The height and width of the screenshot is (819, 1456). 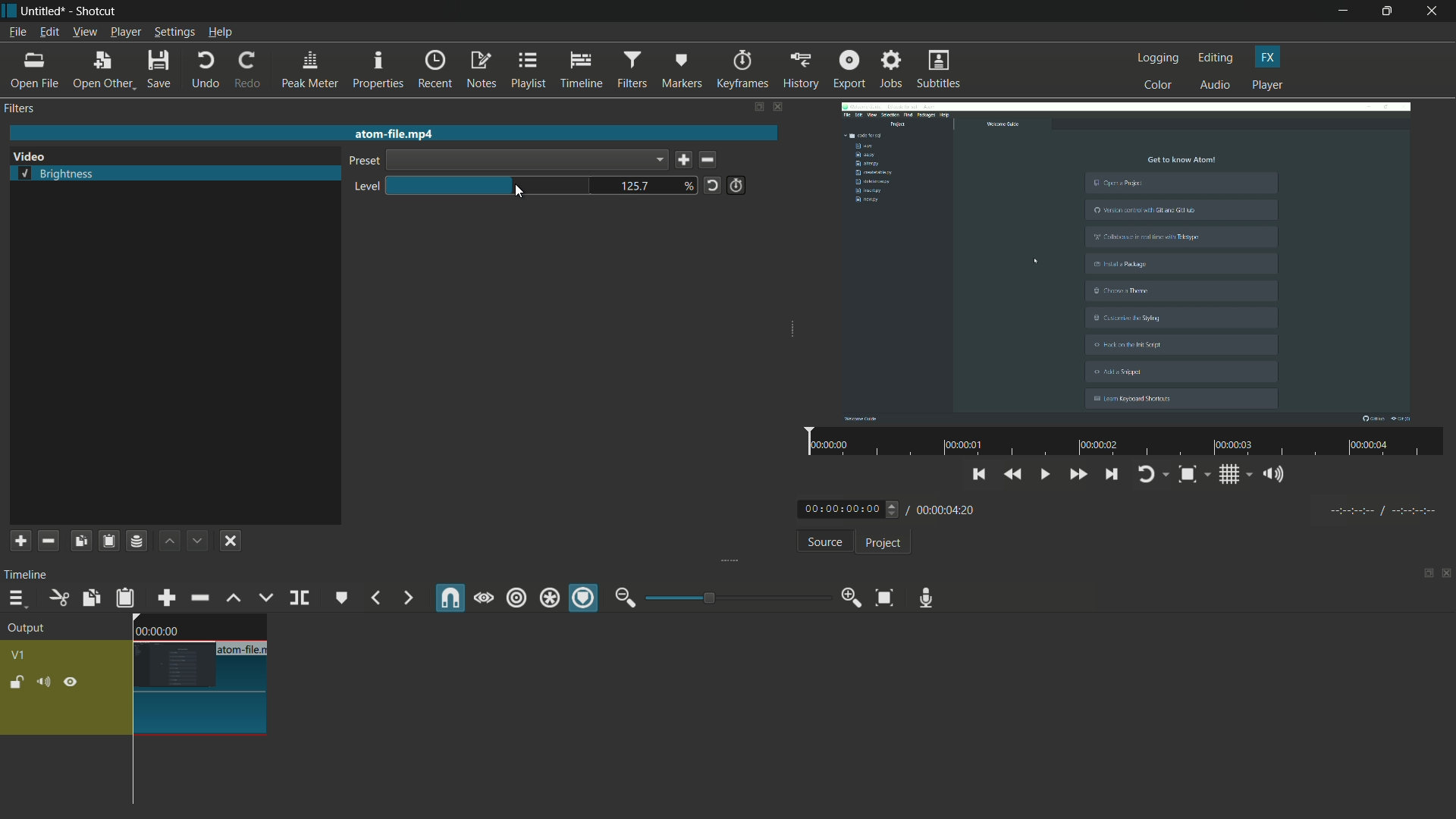 What do you see at coordinates (1047, 475) in the screenshot?
I see `toggle play/pause` at bounding box center [1047, 475].